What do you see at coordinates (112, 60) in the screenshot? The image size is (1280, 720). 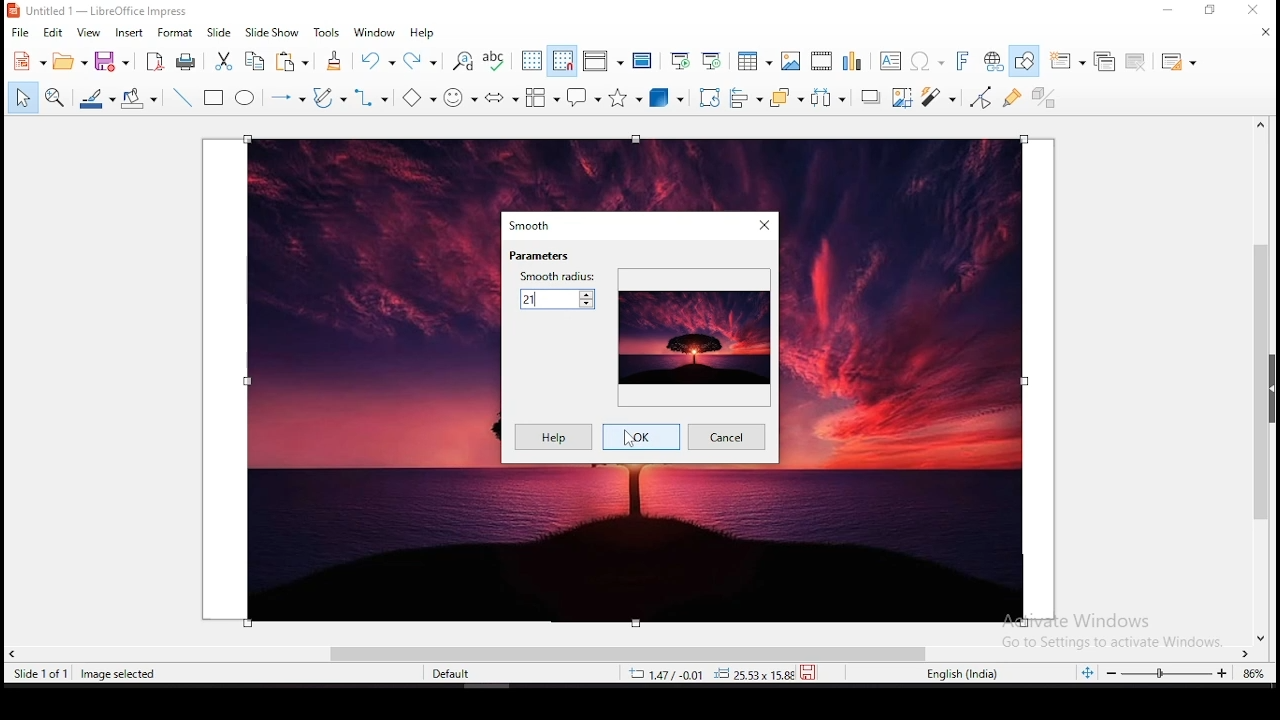 I see `save` at bounding box center [112, 60].